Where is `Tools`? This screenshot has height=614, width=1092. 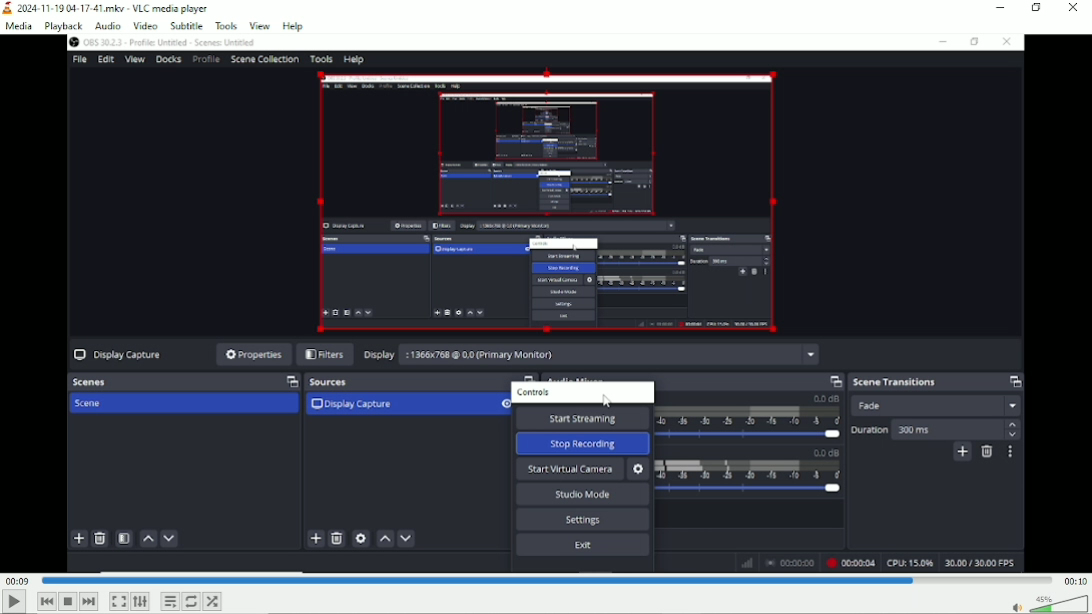 Tools is located at coordinates (226, 26).